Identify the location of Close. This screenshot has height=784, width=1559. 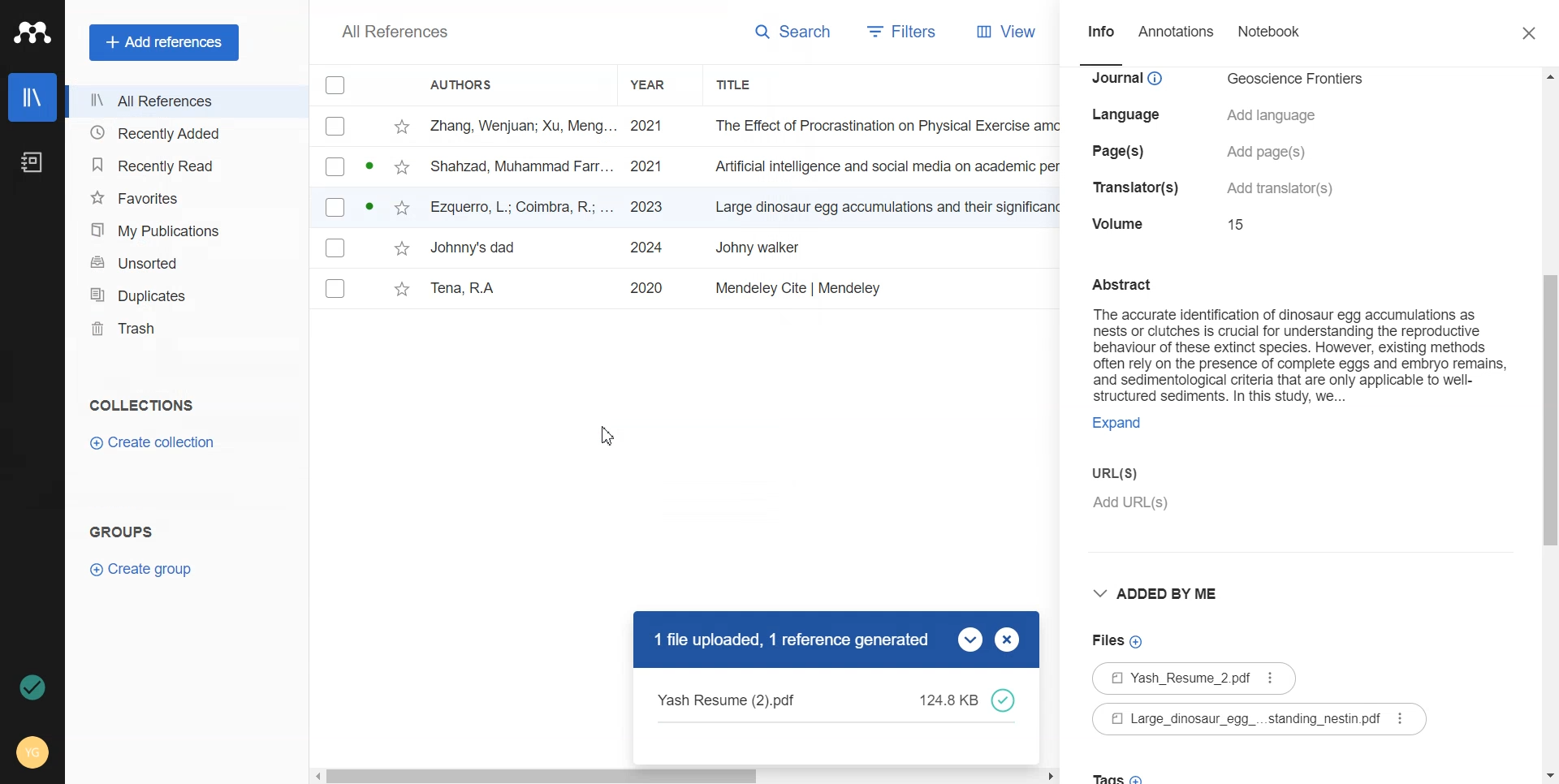
(1531, 34).